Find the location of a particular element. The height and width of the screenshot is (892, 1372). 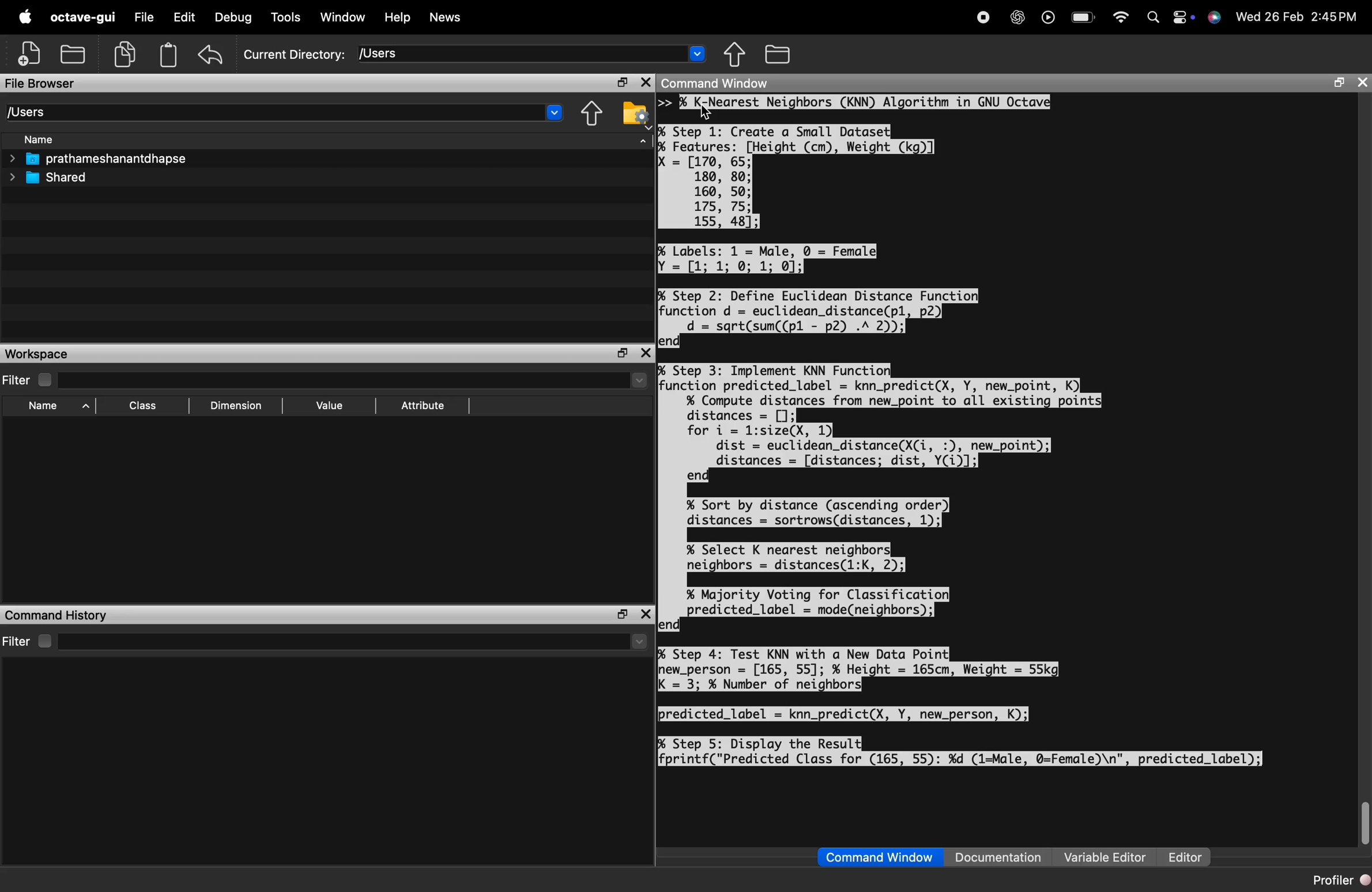

Profiler is located at coordinates (1333, 881).